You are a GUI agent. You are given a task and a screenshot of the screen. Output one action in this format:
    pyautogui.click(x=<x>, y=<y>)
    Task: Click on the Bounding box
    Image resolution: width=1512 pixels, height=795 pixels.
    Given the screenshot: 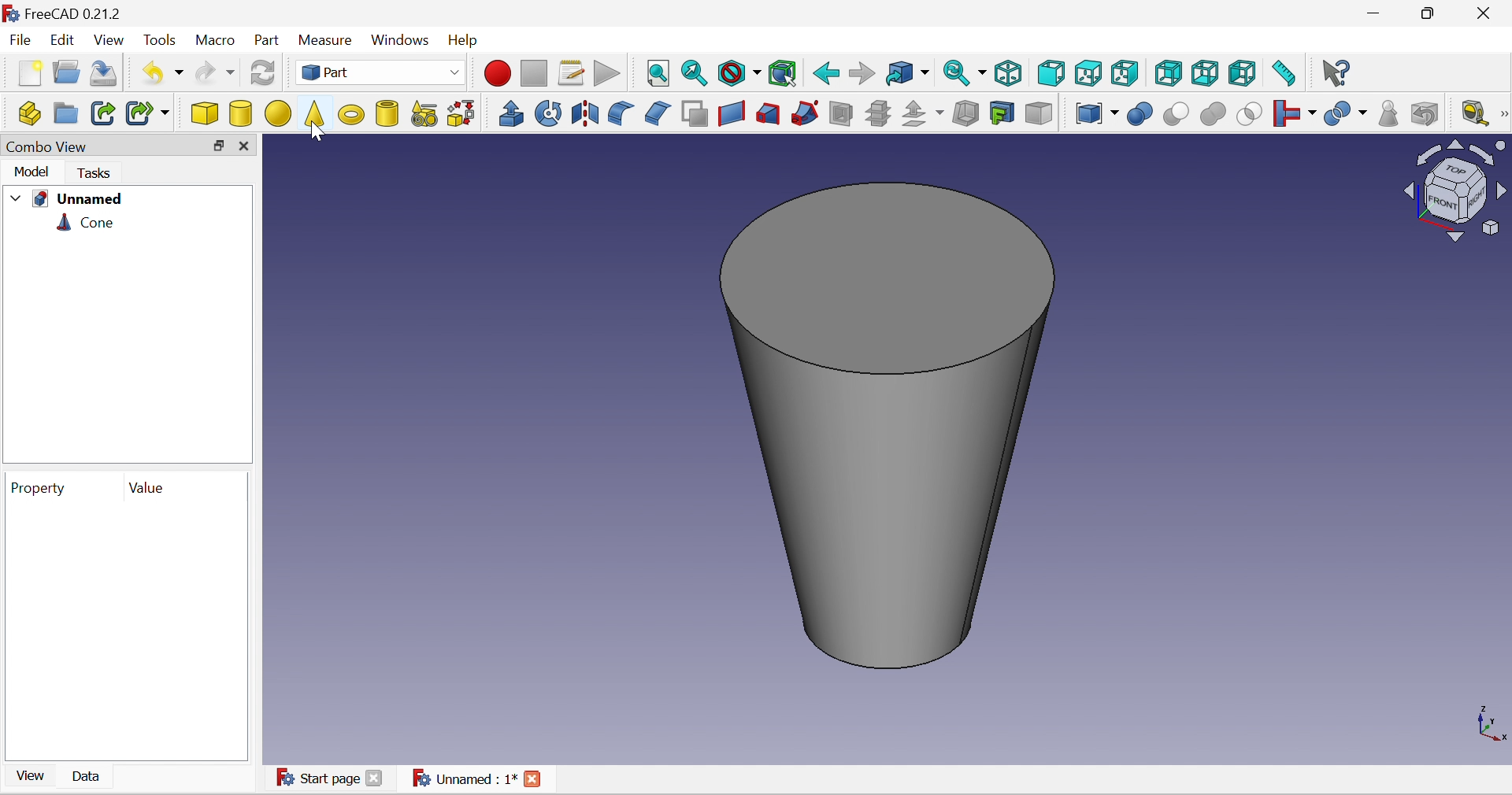 What is the action you would take?
    pyautogui.click(x=783, y=72)
    